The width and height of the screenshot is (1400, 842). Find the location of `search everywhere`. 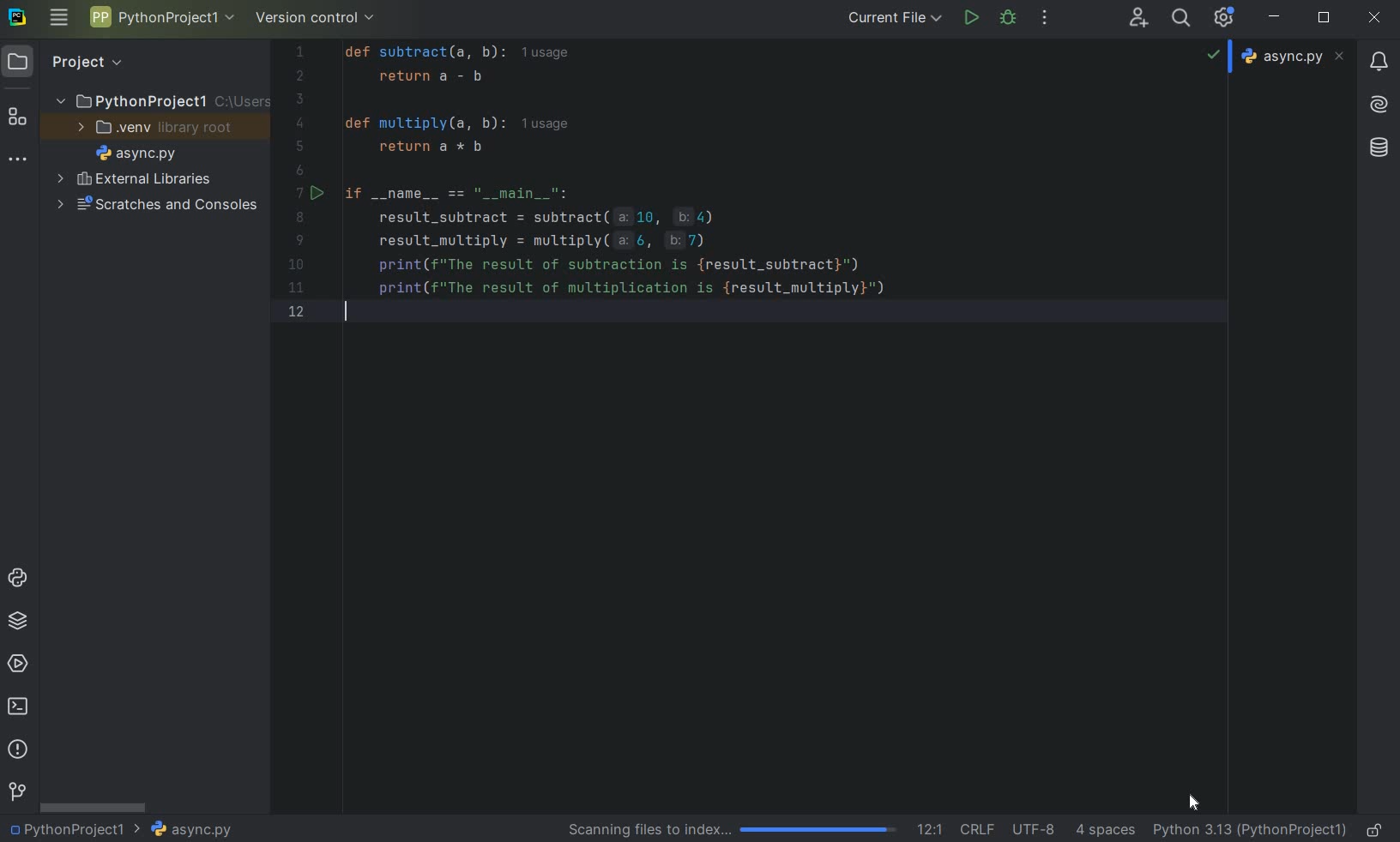

search everywhere is located at coordinates (1182, 17).